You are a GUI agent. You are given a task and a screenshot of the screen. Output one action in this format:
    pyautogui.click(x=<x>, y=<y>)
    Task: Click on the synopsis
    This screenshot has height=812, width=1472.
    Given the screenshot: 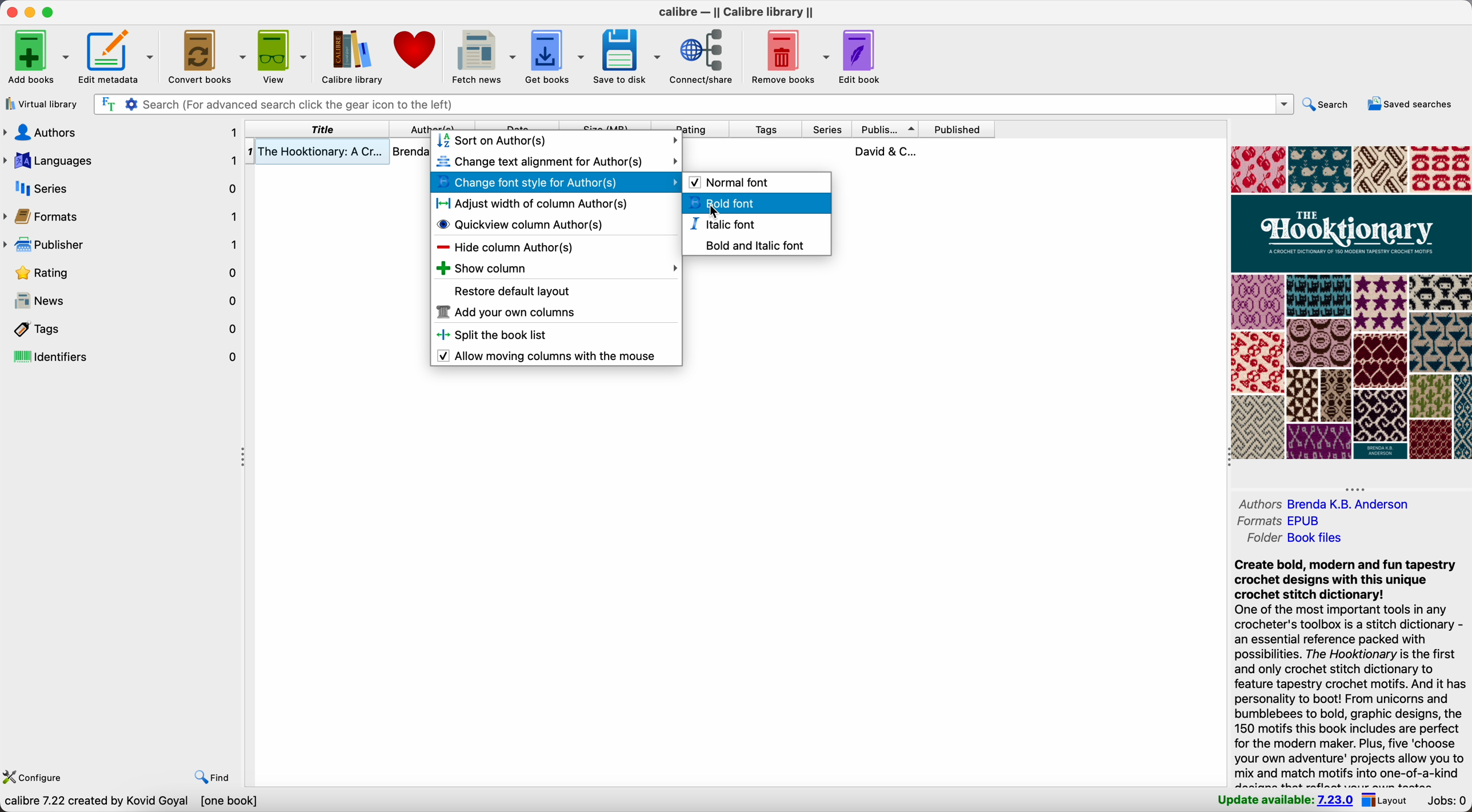 What is the action you would take?
    pyautogui.click(x=1349, y=671)
    